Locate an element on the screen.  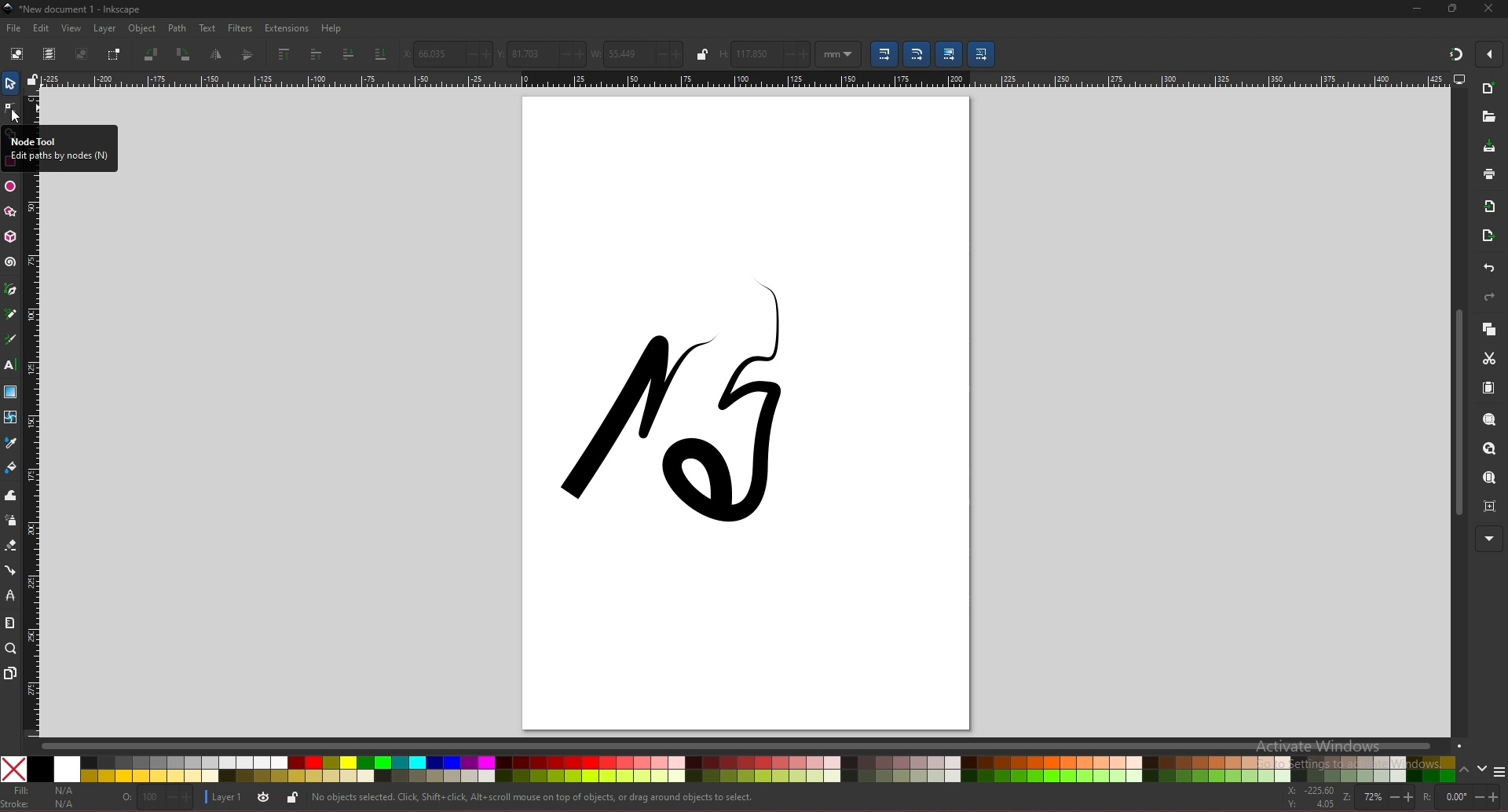
redo is located at coordinates (1489, 297).